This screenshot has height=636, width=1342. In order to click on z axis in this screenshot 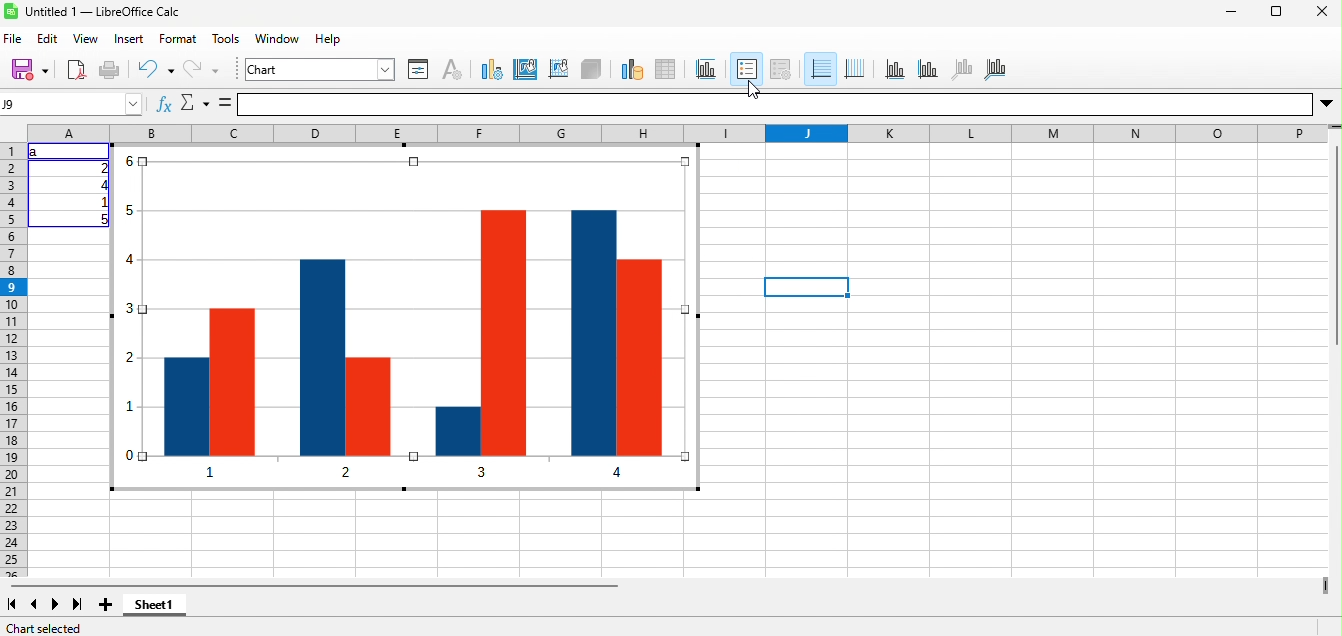, I will do `click(963, 70)`.